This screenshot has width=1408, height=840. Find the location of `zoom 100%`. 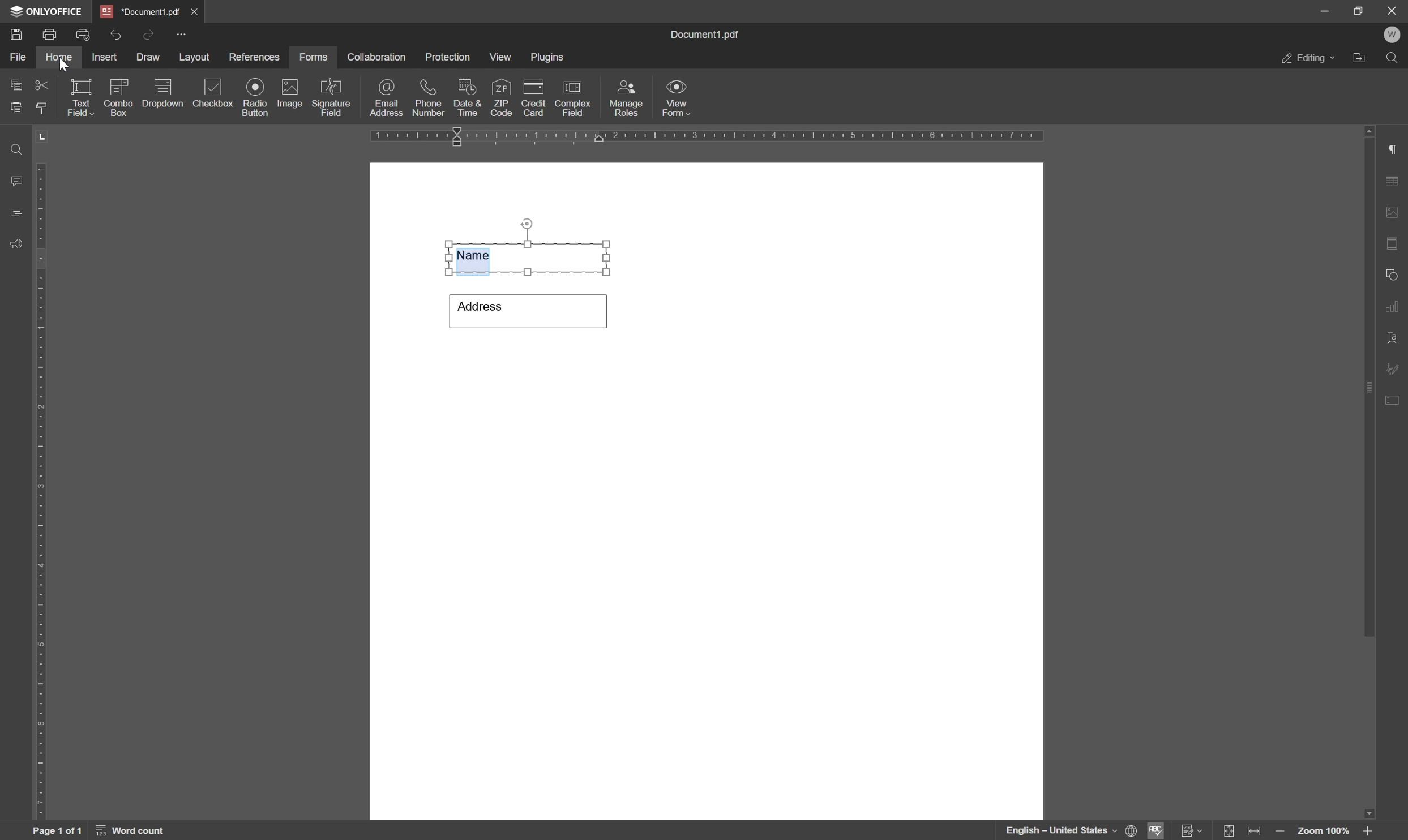

zoom 100% is located at coordinates (1323, 831).